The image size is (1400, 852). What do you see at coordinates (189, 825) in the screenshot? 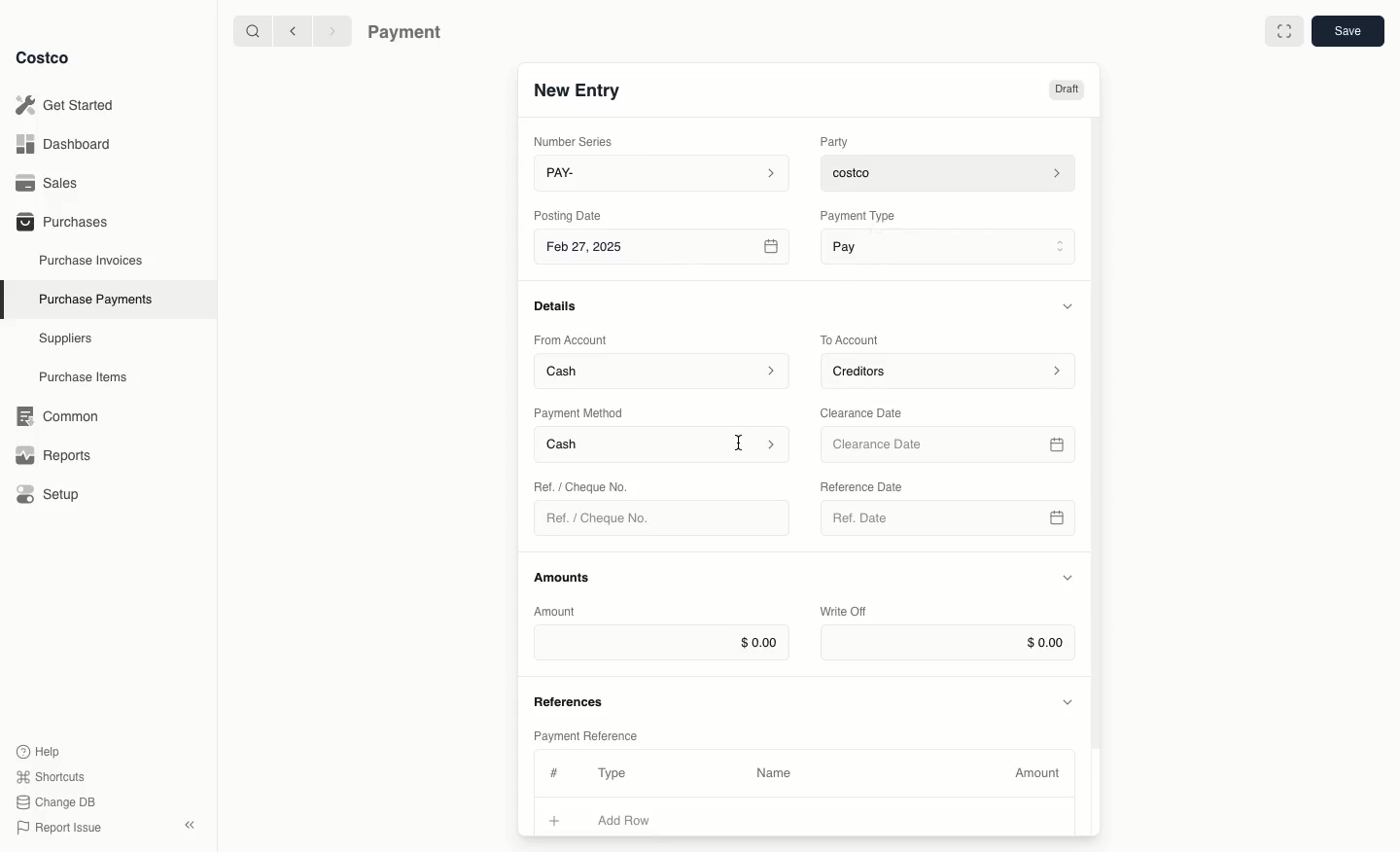
I see `collapse` at bounding box center [189, 825].